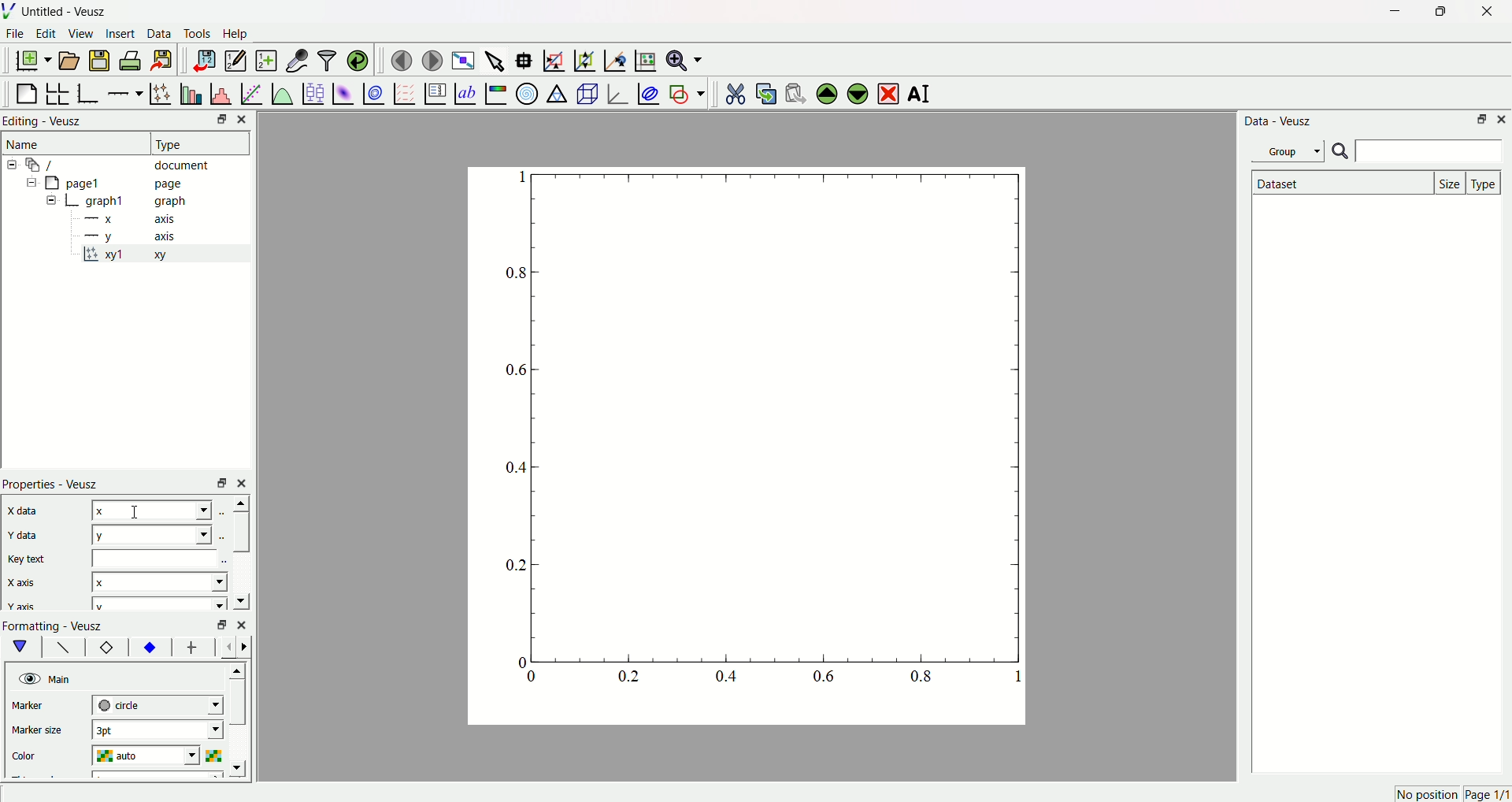 The image size is (1512, 802). Describe the element at coordinates (372, 93) in the screenshot. I see `plot 2d datasets as contours` at that location.